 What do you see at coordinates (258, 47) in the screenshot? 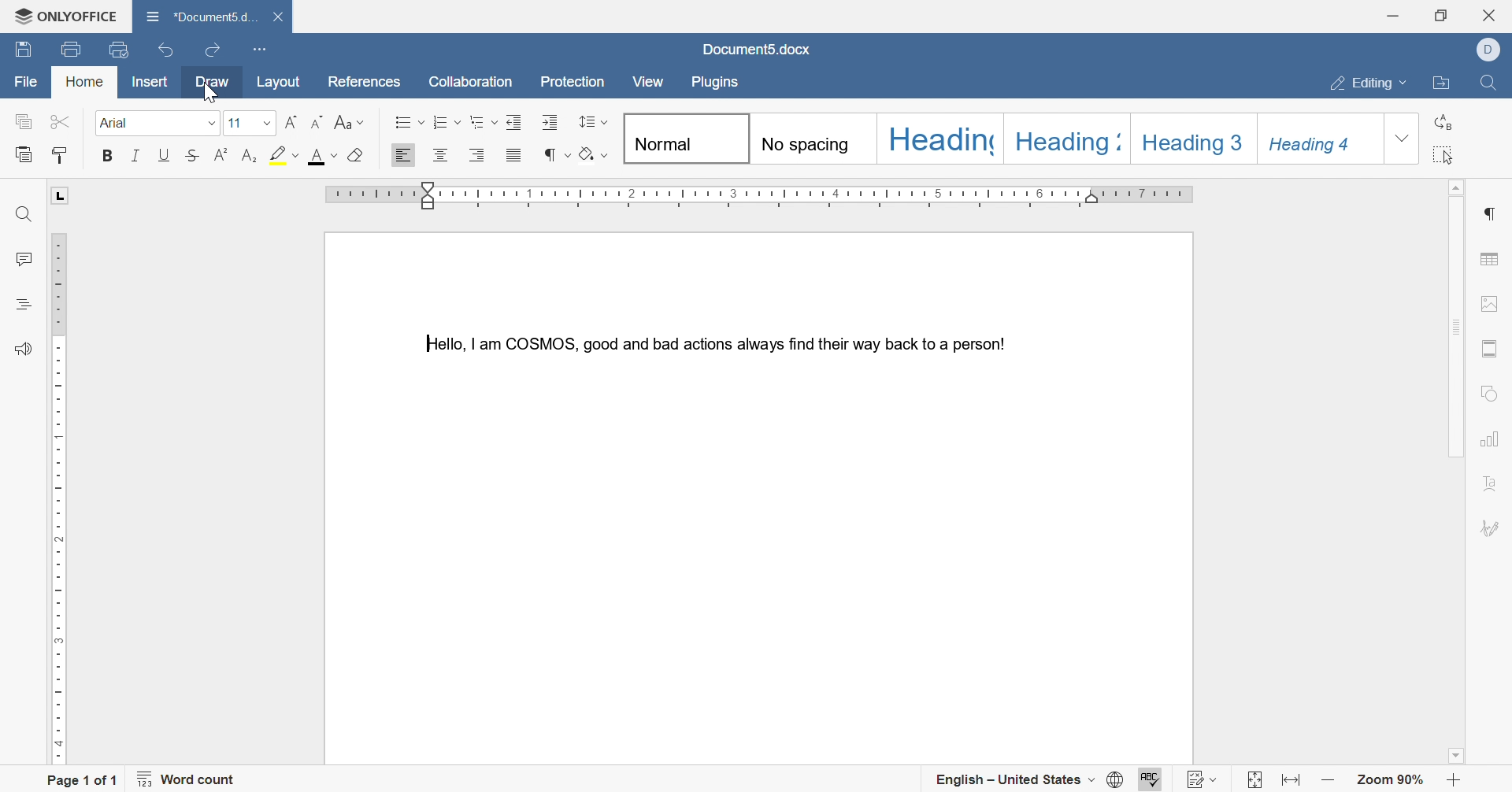
I see `customize quick access toolbar` at bounding box center [258, 47].